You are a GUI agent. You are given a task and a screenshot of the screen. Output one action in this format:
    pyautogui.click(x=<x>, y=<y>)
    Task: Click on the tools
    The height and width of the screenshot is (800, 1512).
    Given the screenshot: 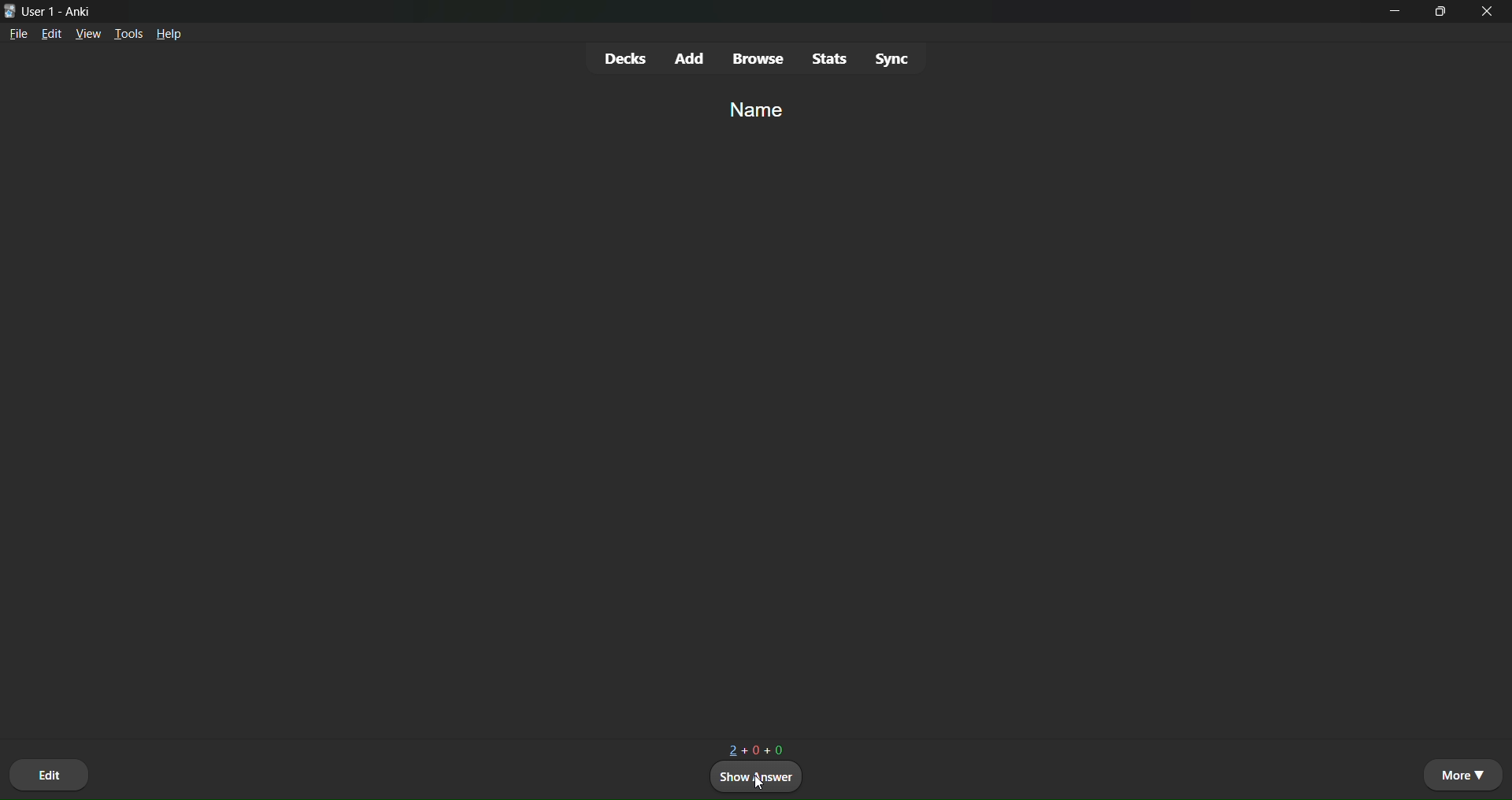 What is the action you would take?
    pyautogui.click(x=130, y=31)
    